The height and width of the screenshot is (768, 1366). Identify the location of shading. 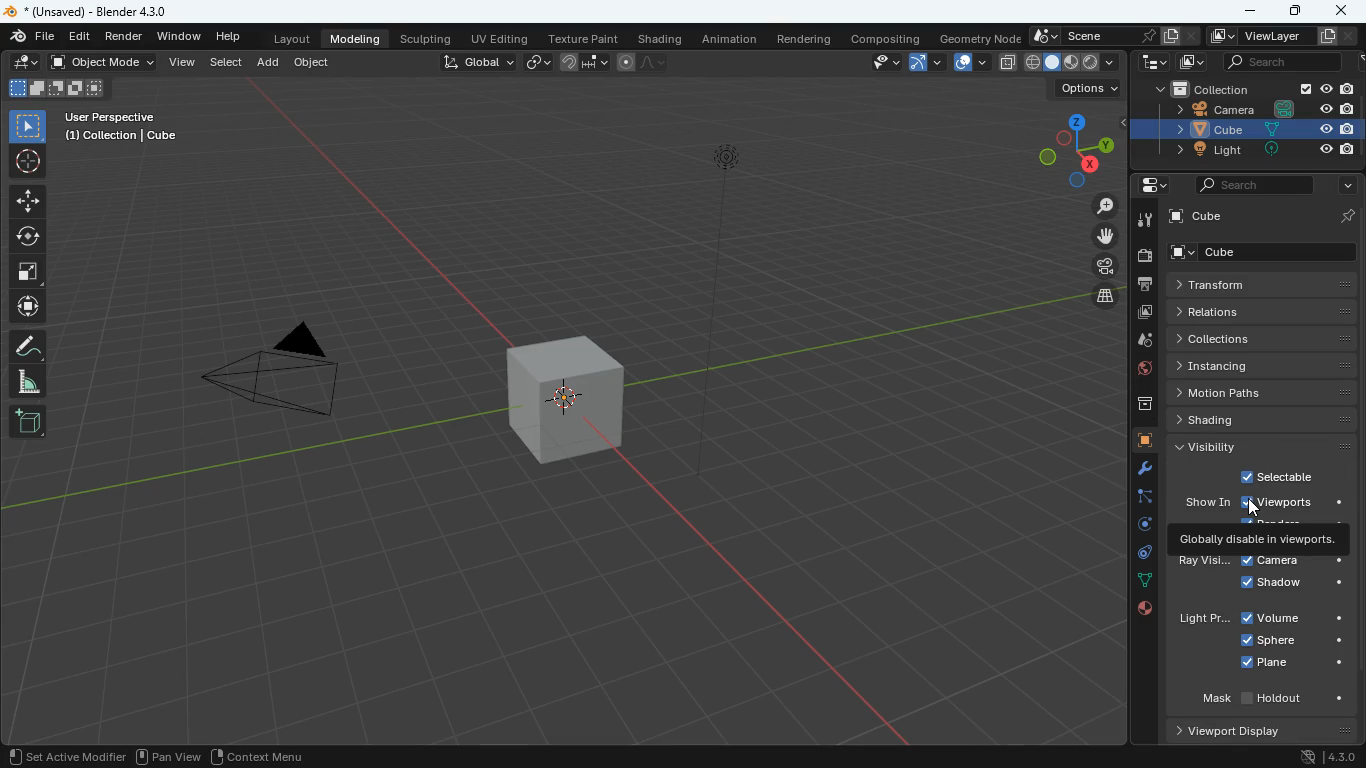
(659, 38).